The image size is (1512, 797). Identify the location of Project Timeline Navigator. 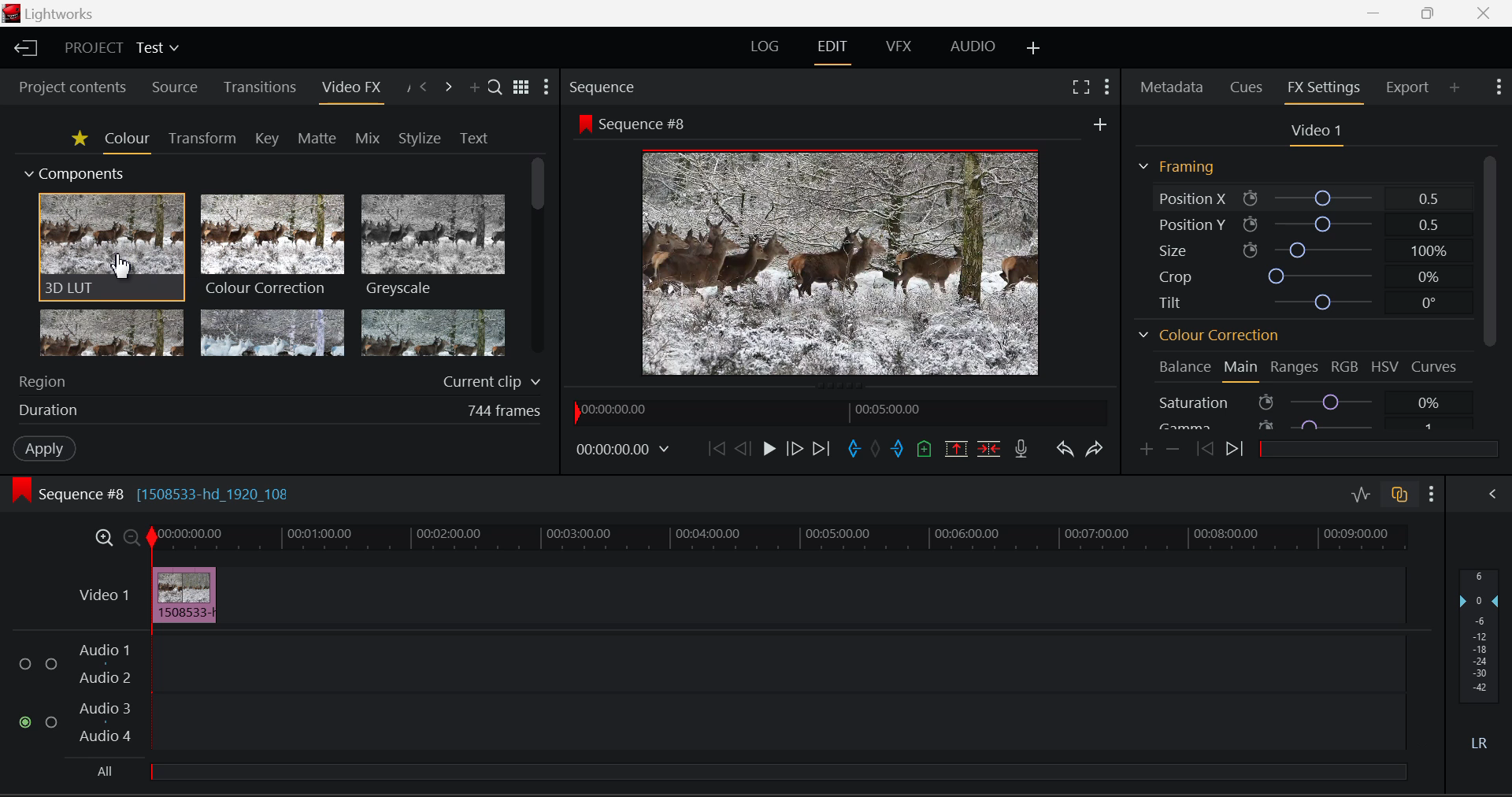
(838, 413).